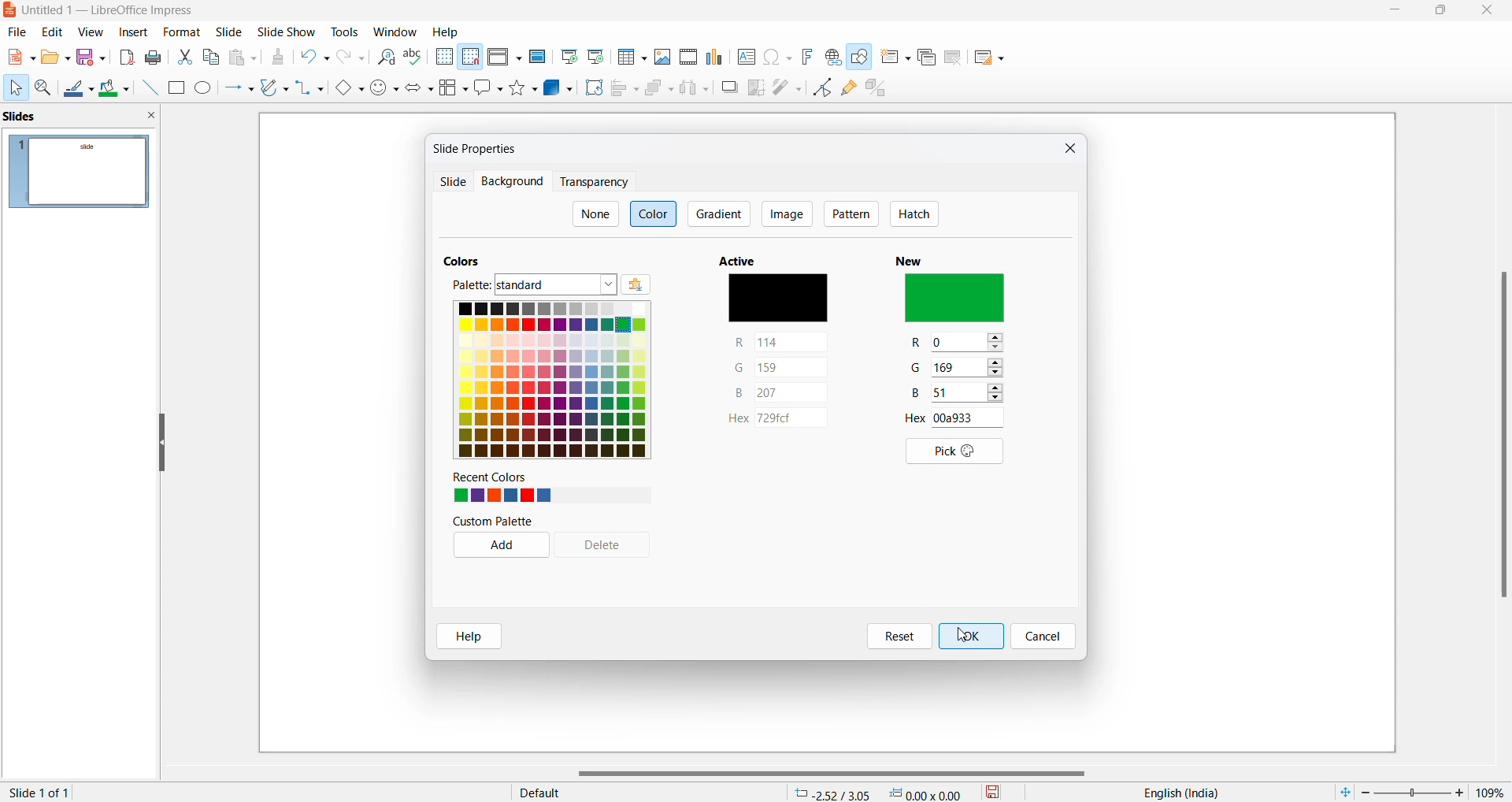 The width and height of the screenshot is (1512, 802). What do you see at coordinates (780, 366) in the screenshot?
I see `green` at bounding box center [780, 366].